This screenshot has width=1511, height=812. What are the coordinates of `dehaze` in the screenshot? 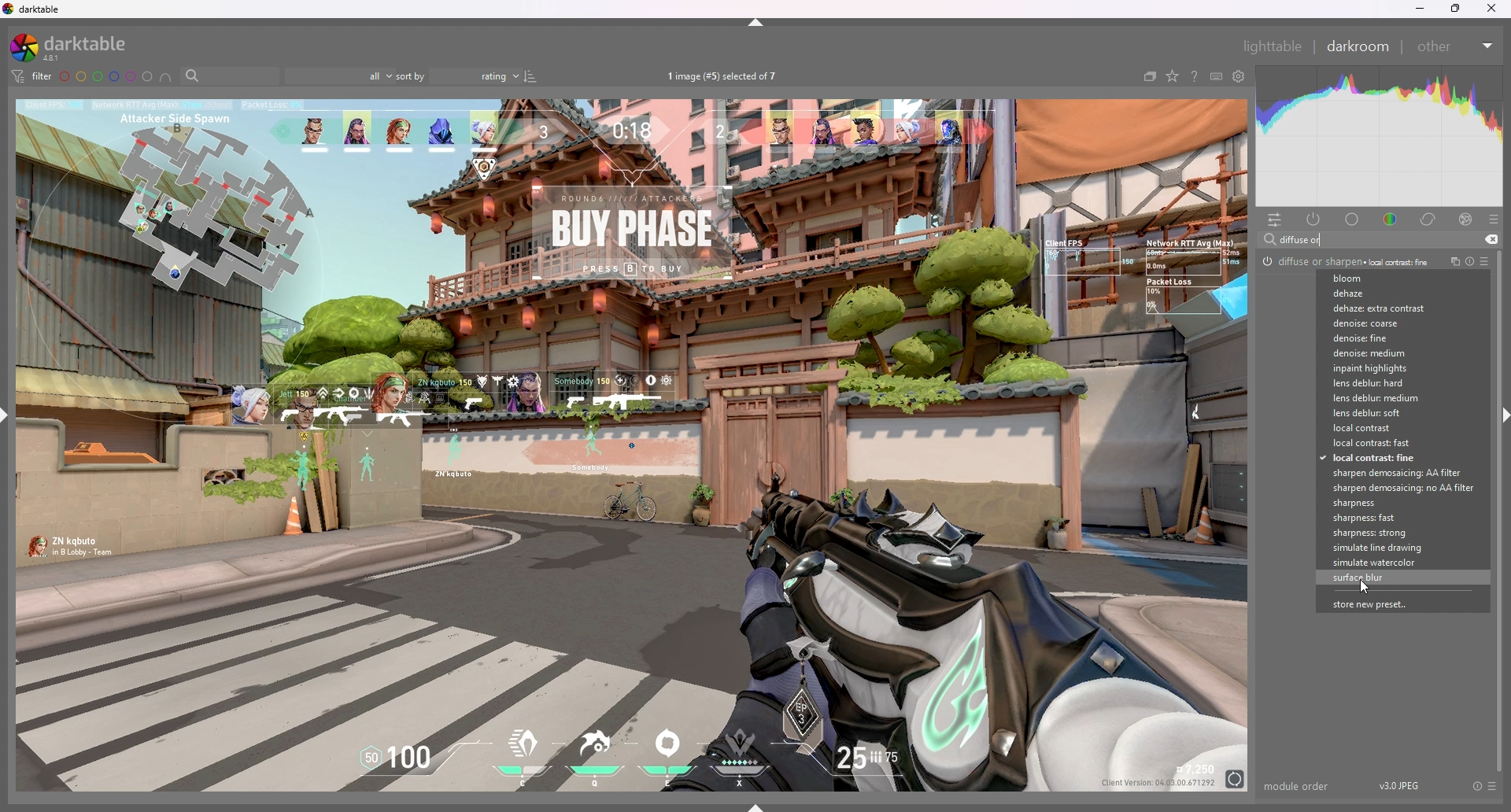 It's located at (1383, 294).